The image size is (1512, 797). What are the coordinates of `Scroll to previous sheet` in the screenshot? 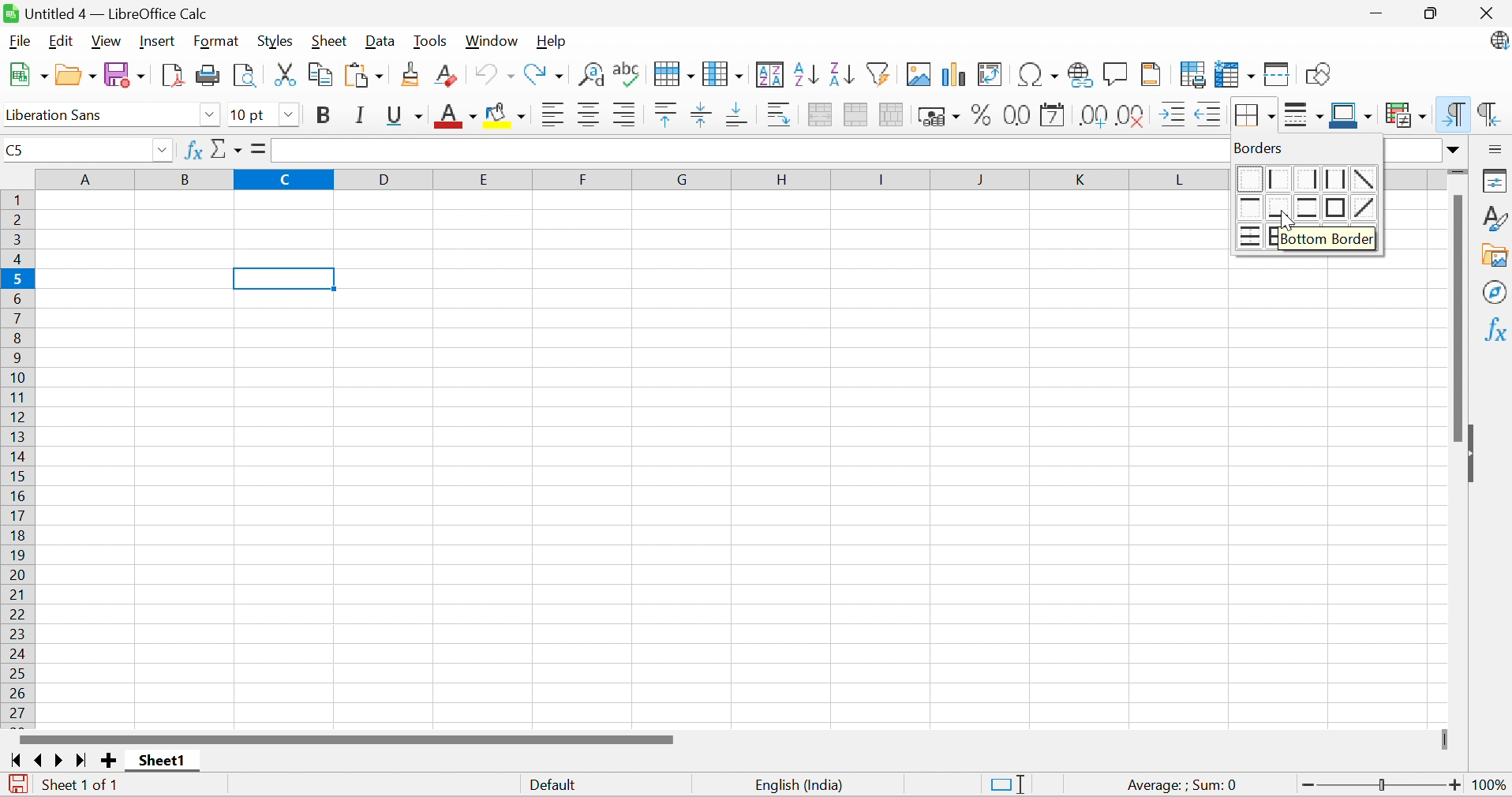 It's located at (39, 759).